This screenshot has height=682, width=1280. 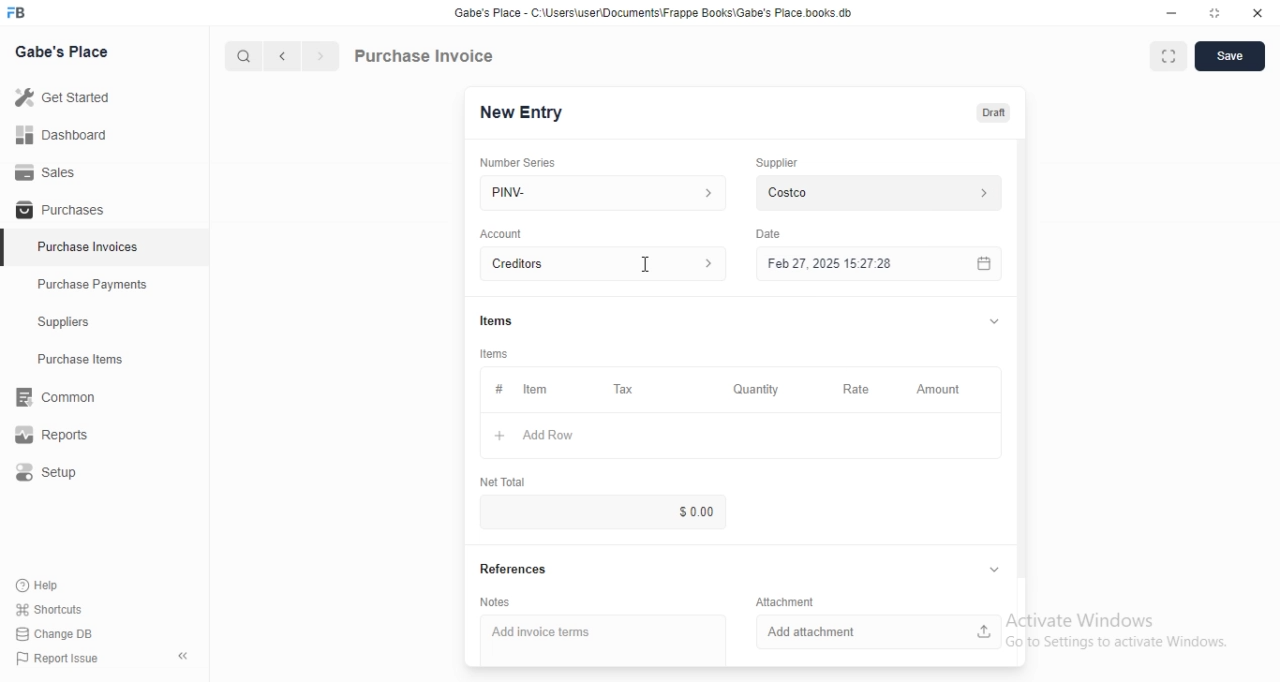 I want to click on Dashboard, so click(x=104, y=134).